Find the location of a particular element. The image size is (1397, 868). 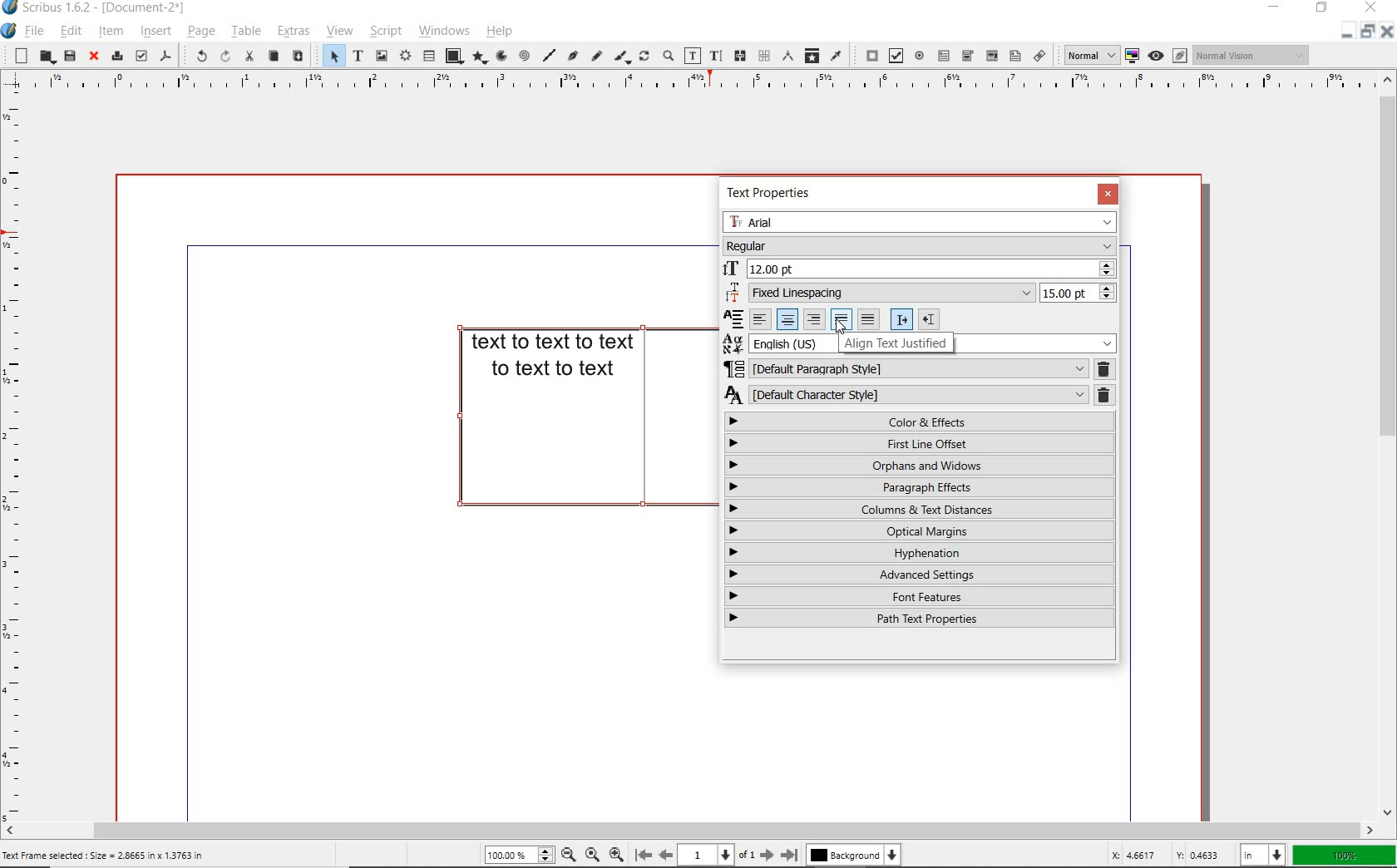

text frame is located at coordinates (358, 56).